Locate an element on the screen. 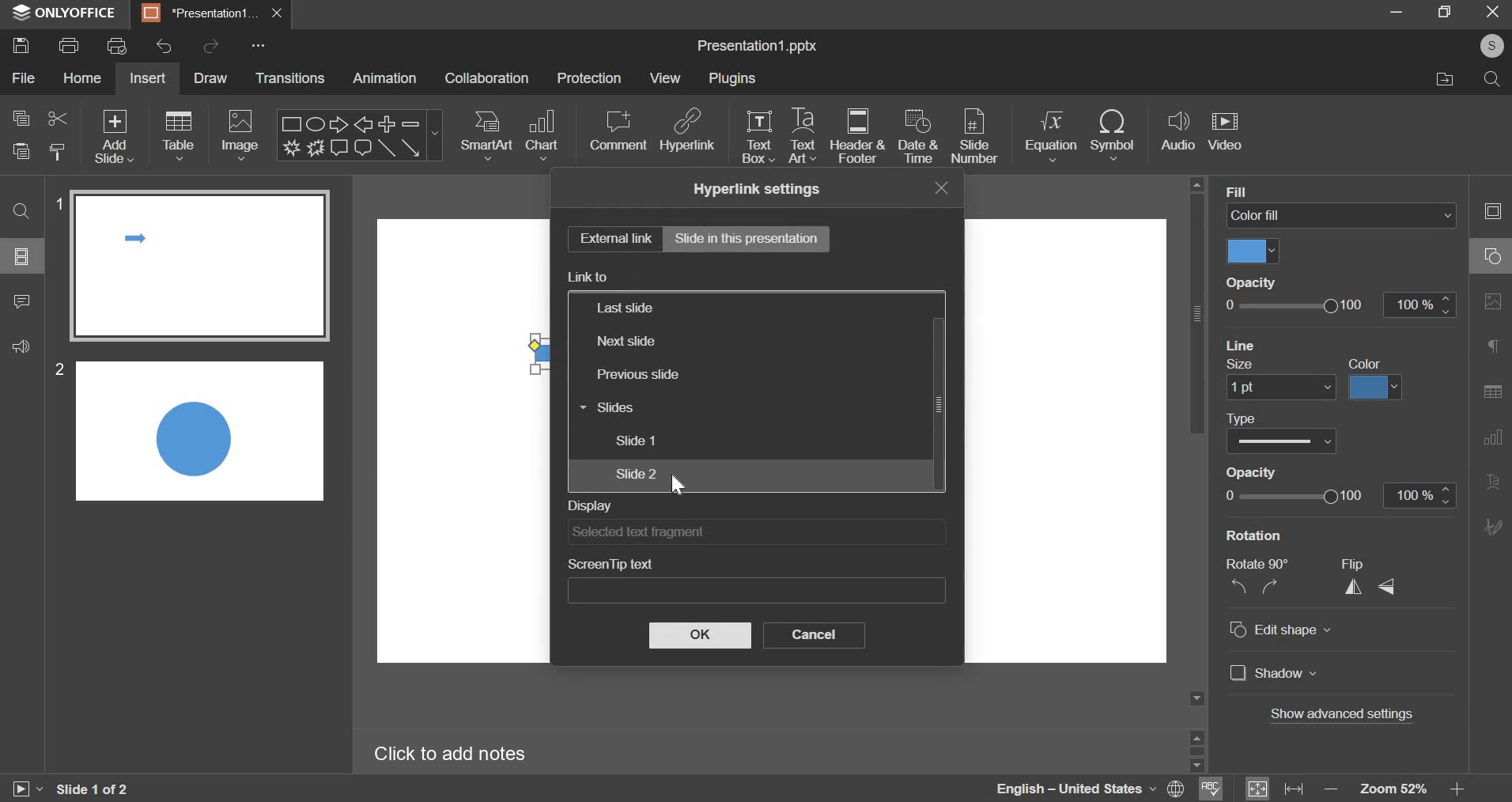 This screenshot has width=1512, height=802. Rectangular callout is located at coordinates (340, 148).